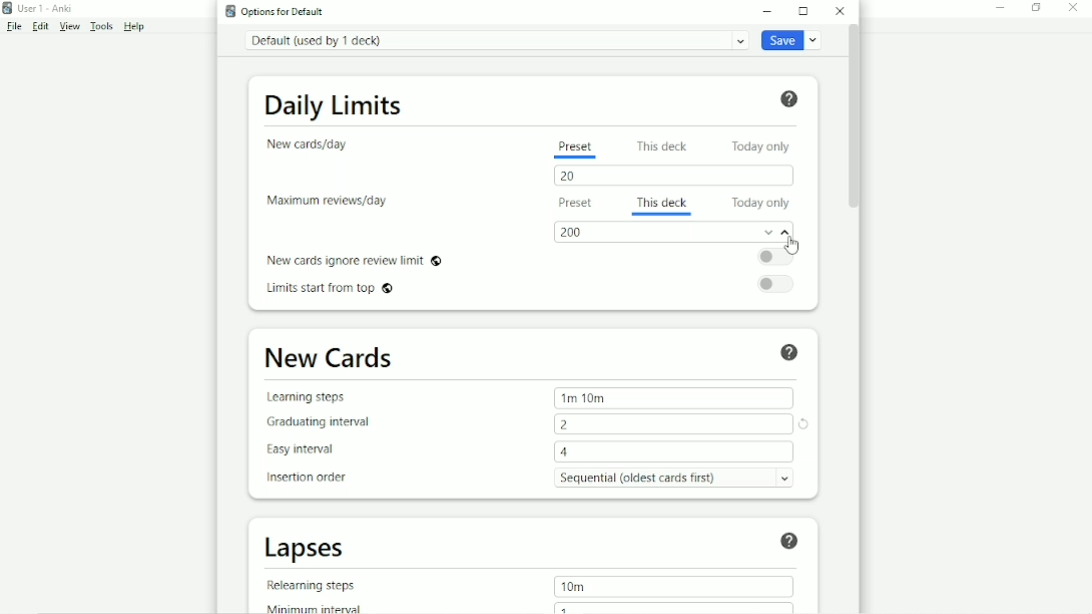 Image resolution: width=1092 pixels, height=614 pixels. What do you see at coordinates (495, 40) in the screenshot?
I see `Default (used by 1 deck)` at bounding box center [495, 40].